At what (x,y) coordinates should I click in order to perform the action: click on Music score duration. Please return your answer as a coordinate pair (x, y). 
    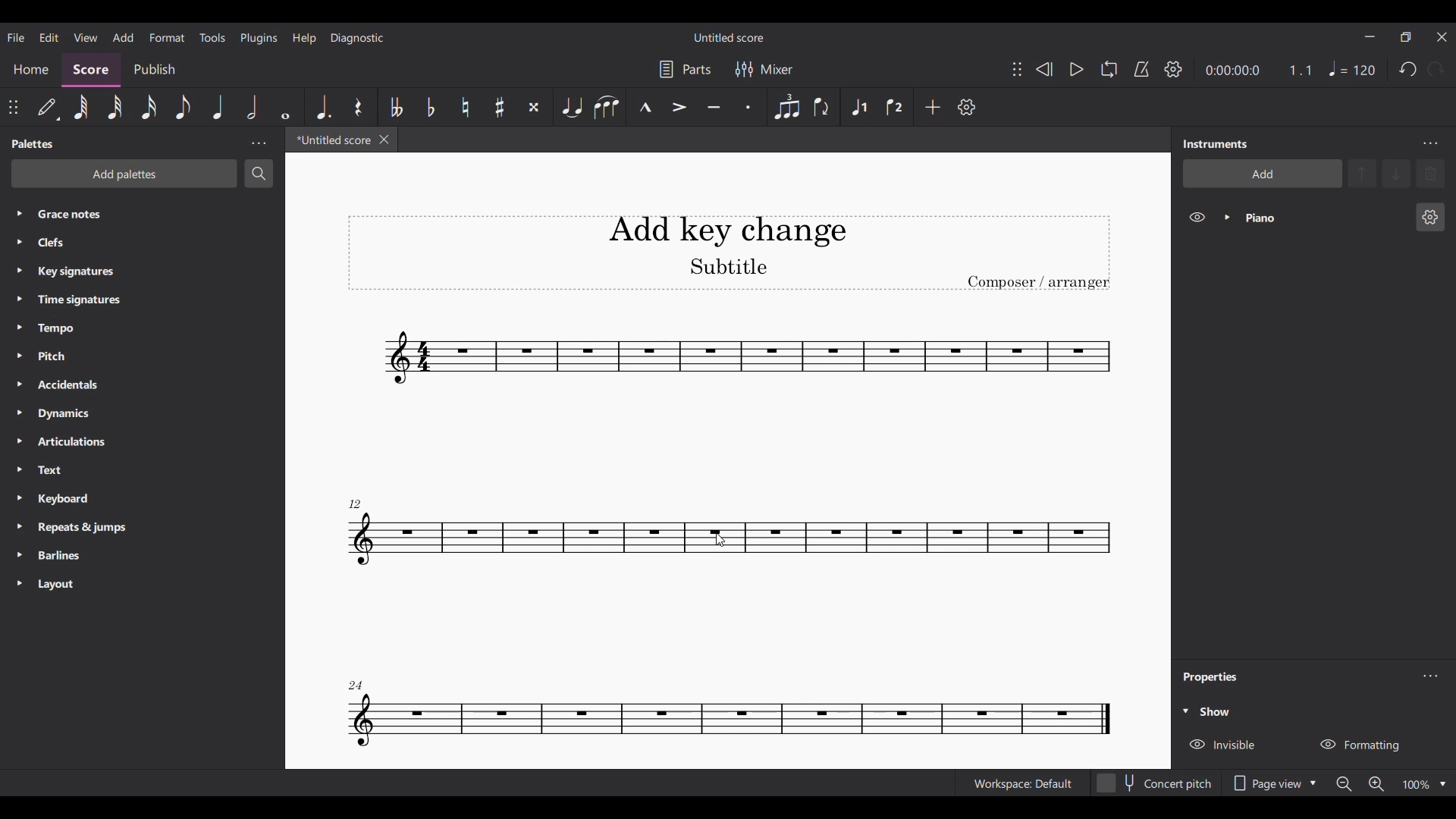
    Looking at the image, I should click on (1260, 70).